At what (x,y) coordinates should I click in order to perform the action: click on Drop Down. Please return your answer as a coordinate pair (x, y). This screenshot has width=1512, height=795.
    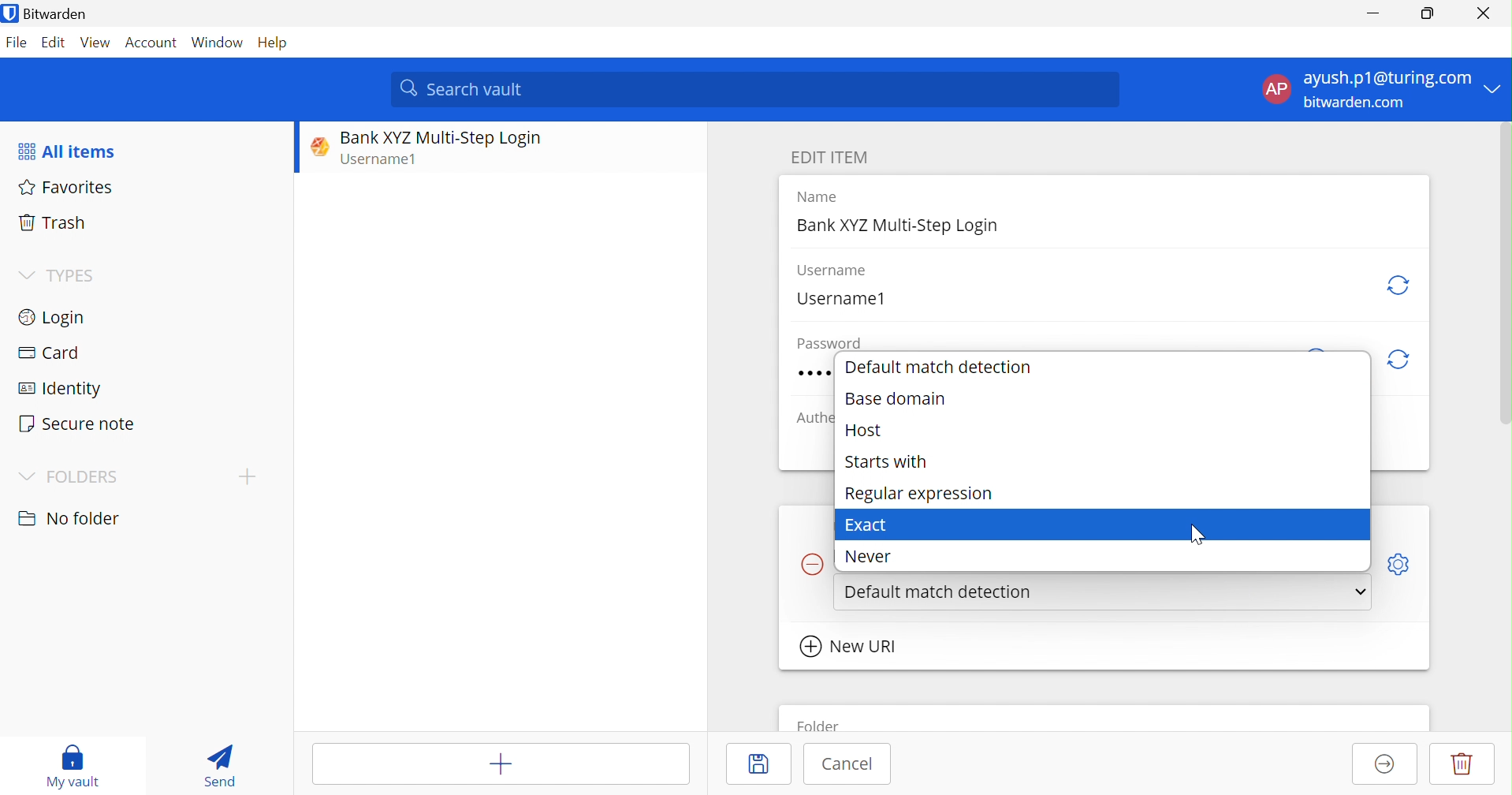
    Looking at the image, I should click on (25, 274).